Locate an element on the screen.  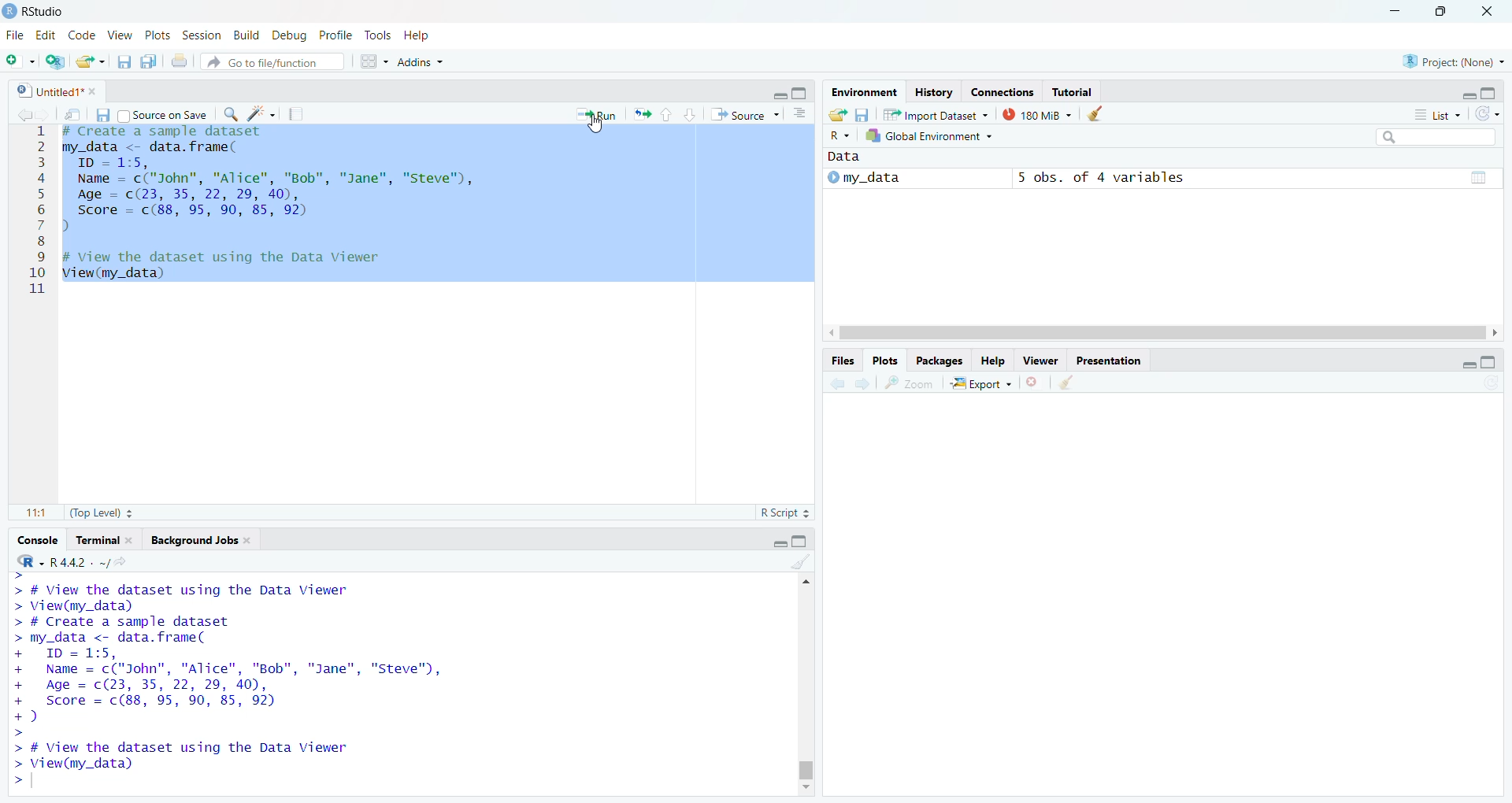
1
2
3
4
5
6
7
8
9
10
11 is located at coordinates (43, 213).